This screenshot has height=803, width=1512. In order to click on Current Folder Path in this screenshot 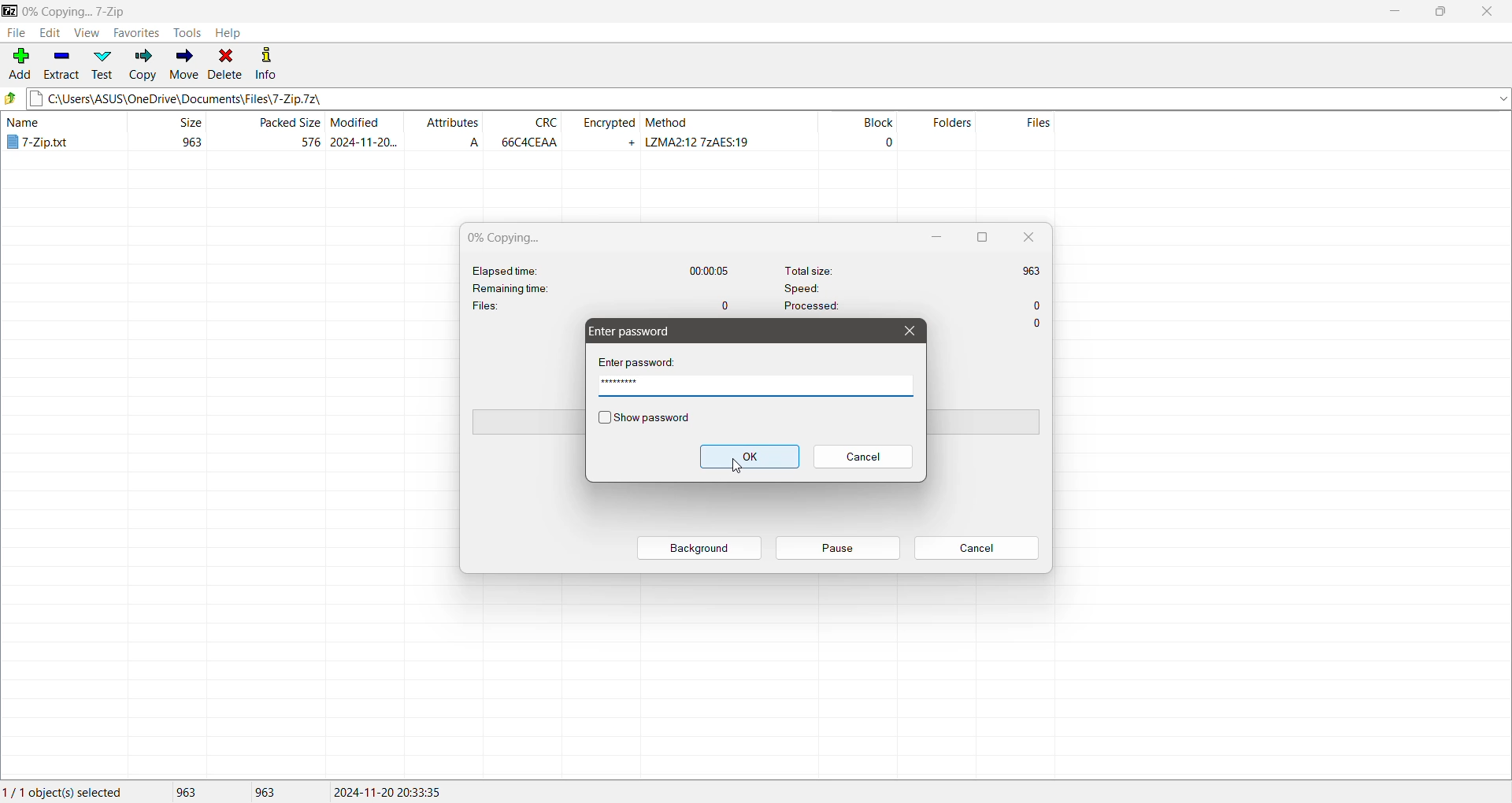, I will do `click(768, 96)`.